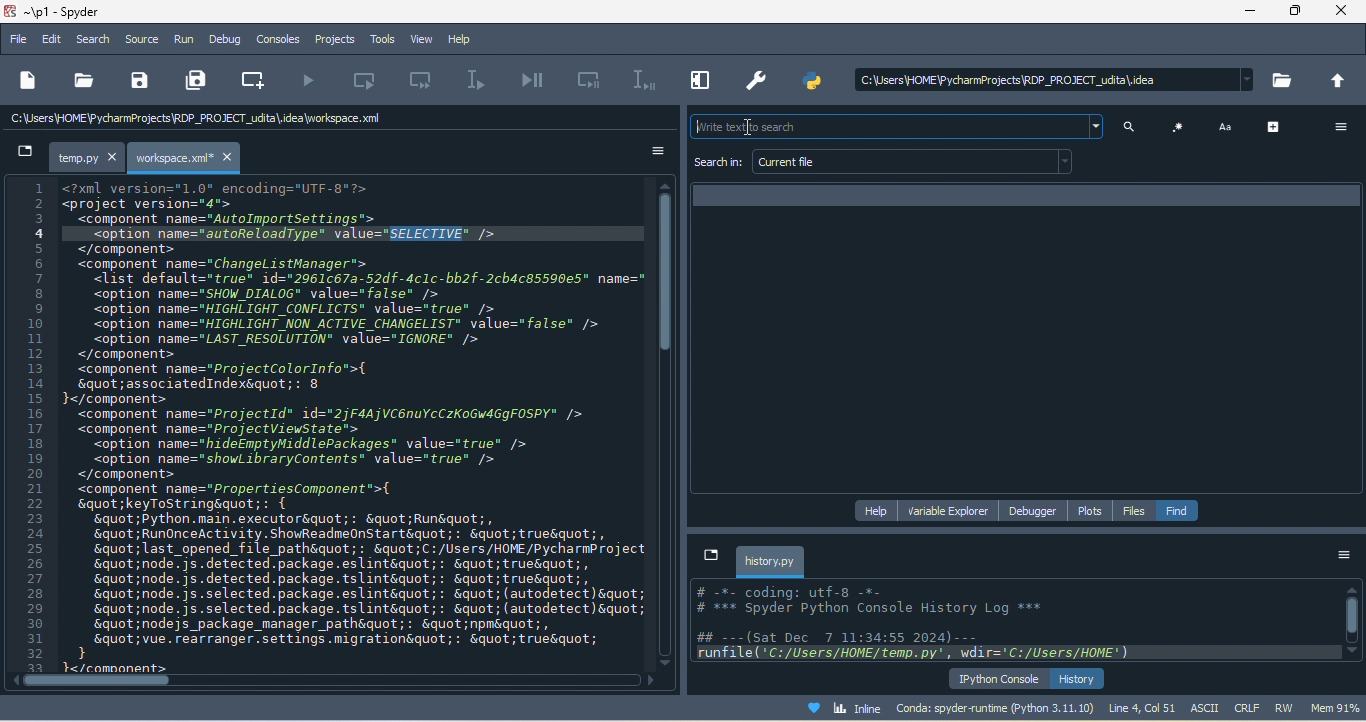  Describe the element at coordinates (330, 425) in the screenshot. I see `editor panel code` at that location.